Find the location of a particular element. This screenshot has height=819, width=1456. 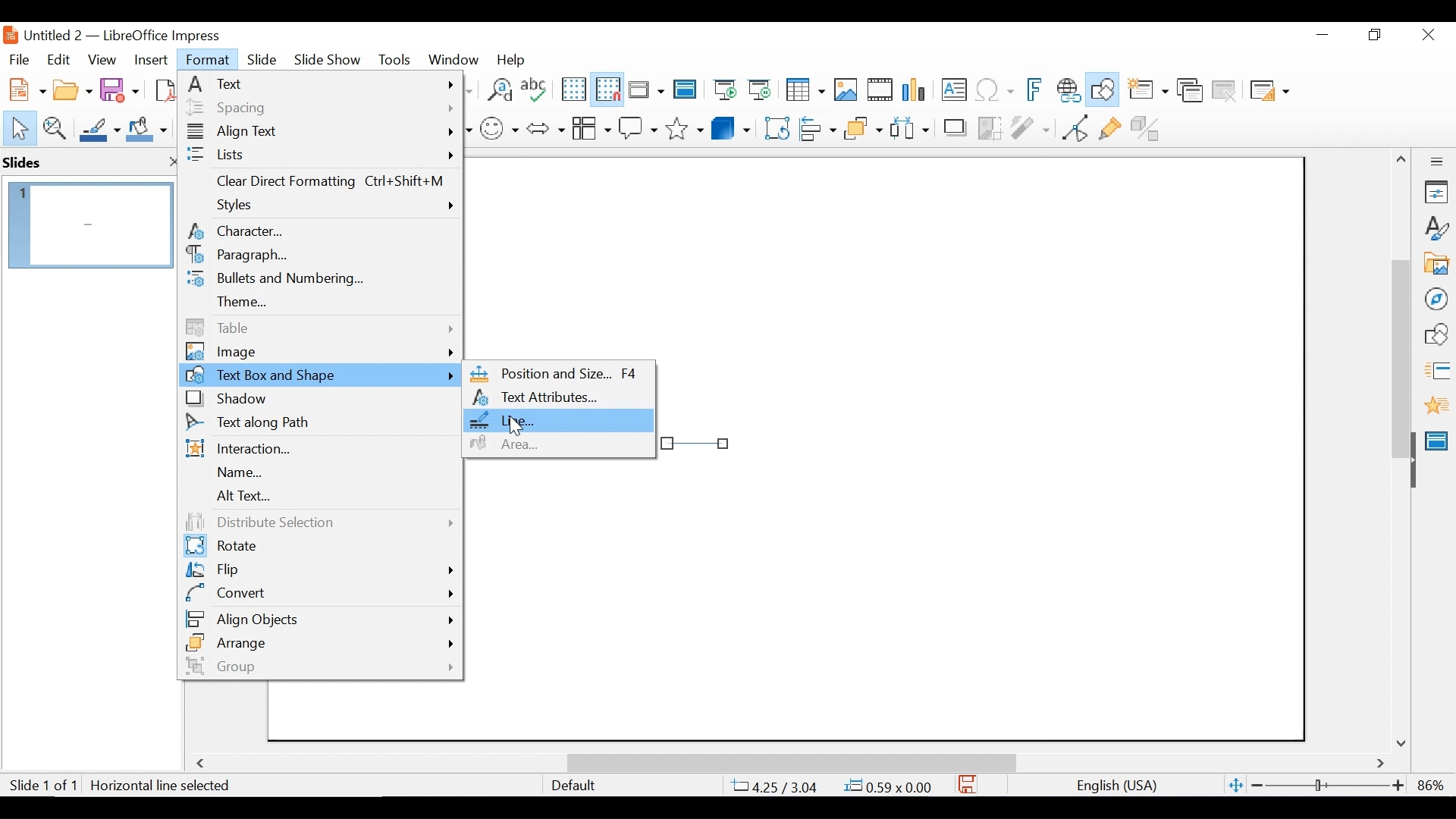

Align Text is located at coordinates (320, 133).